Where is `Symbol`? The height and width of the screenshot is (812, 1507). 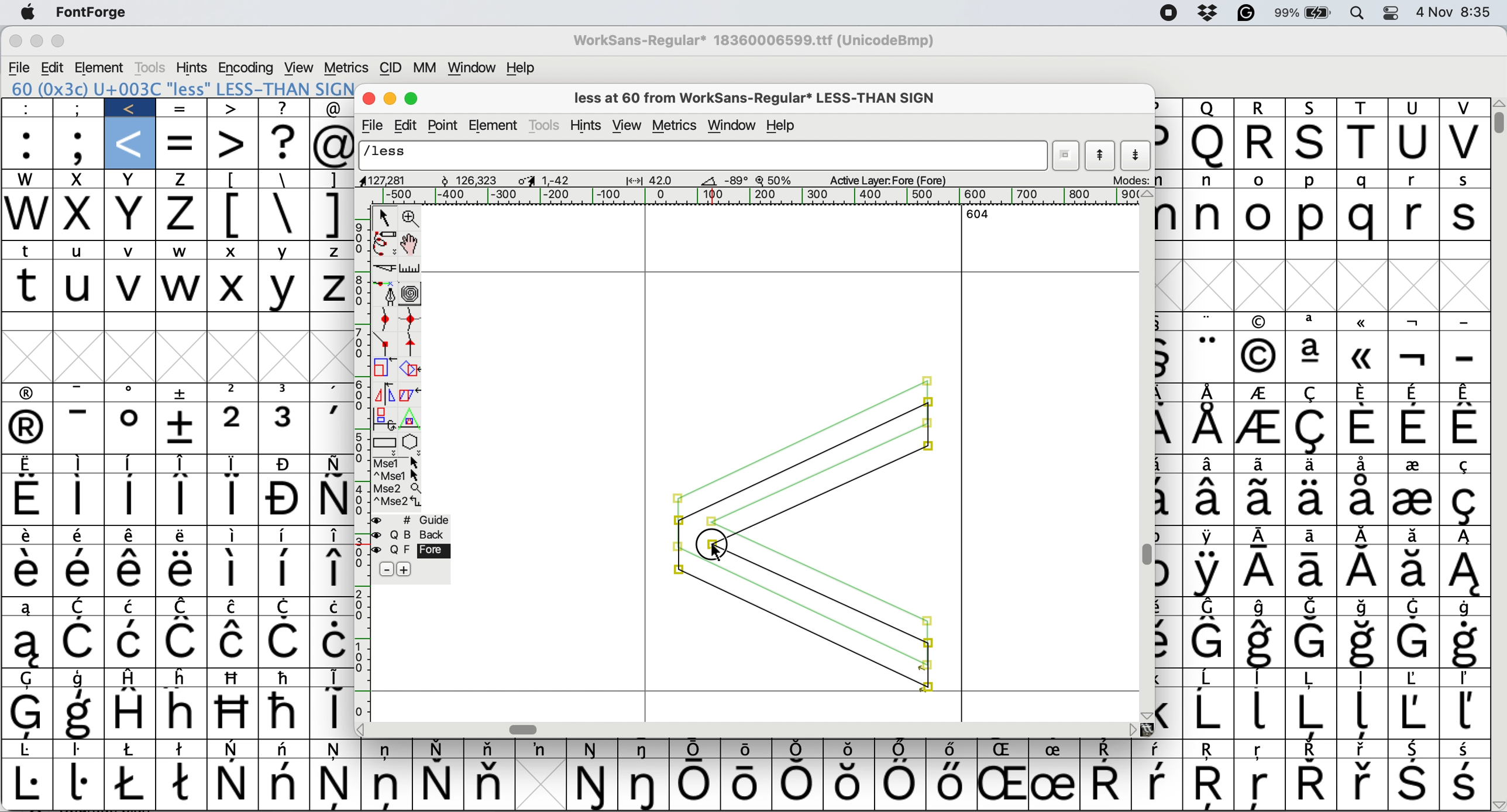 Symbol is located at coordinates (328, 391).